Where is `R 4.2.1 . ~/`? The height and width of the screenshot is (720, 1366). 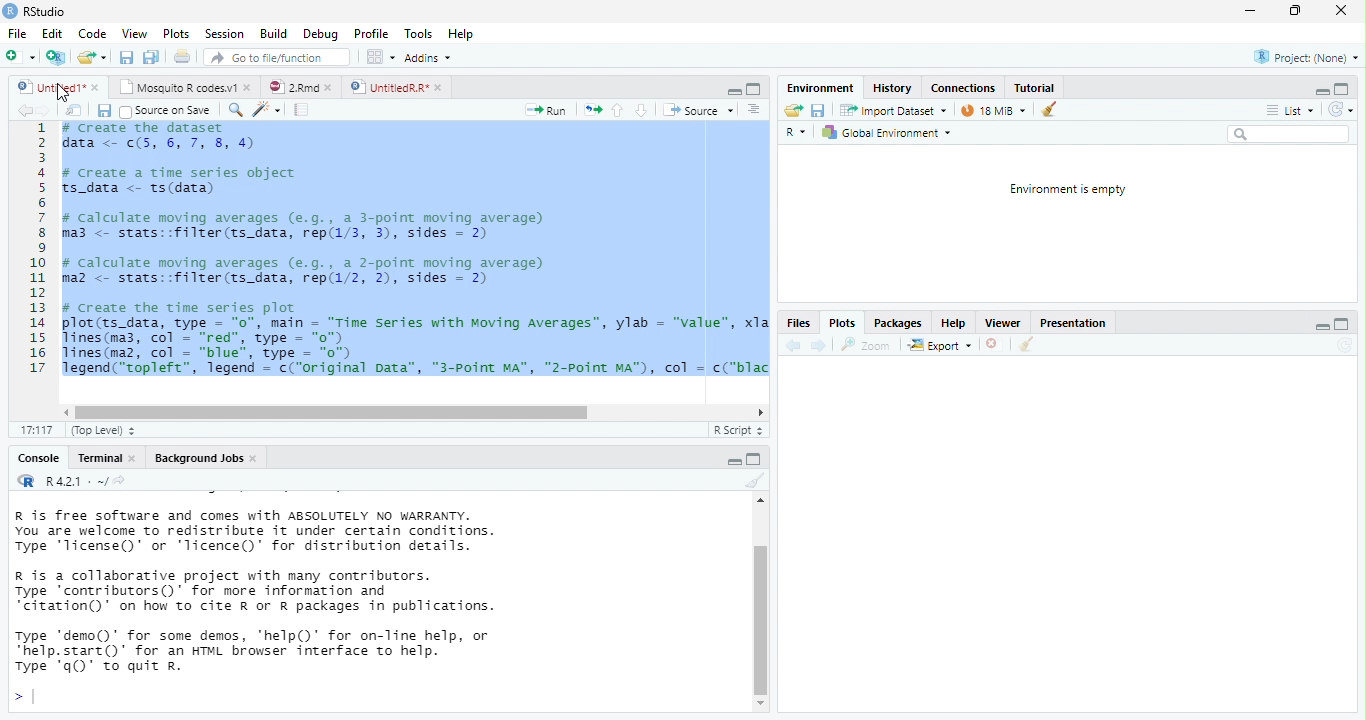 R 4.2.1 . ~/ is located at coordinates (74, 480).